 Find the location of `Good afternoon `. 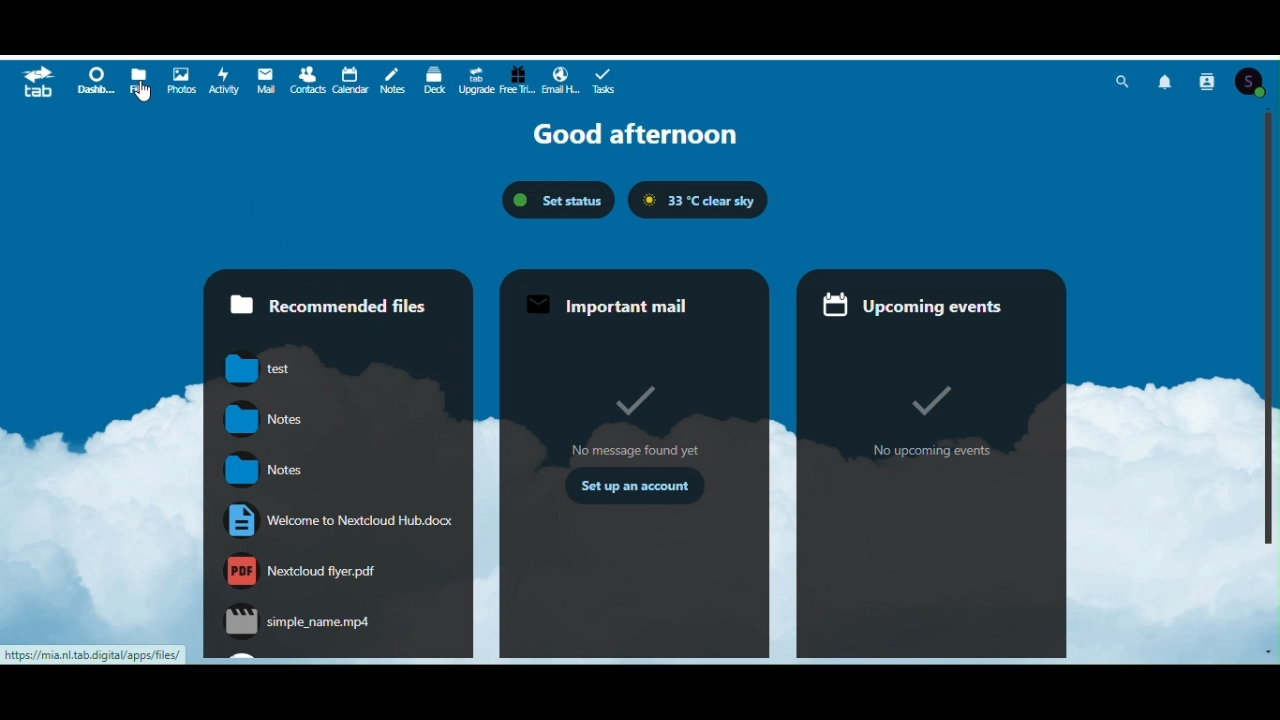

Good afternoon  is located at coordinates (634, 135).